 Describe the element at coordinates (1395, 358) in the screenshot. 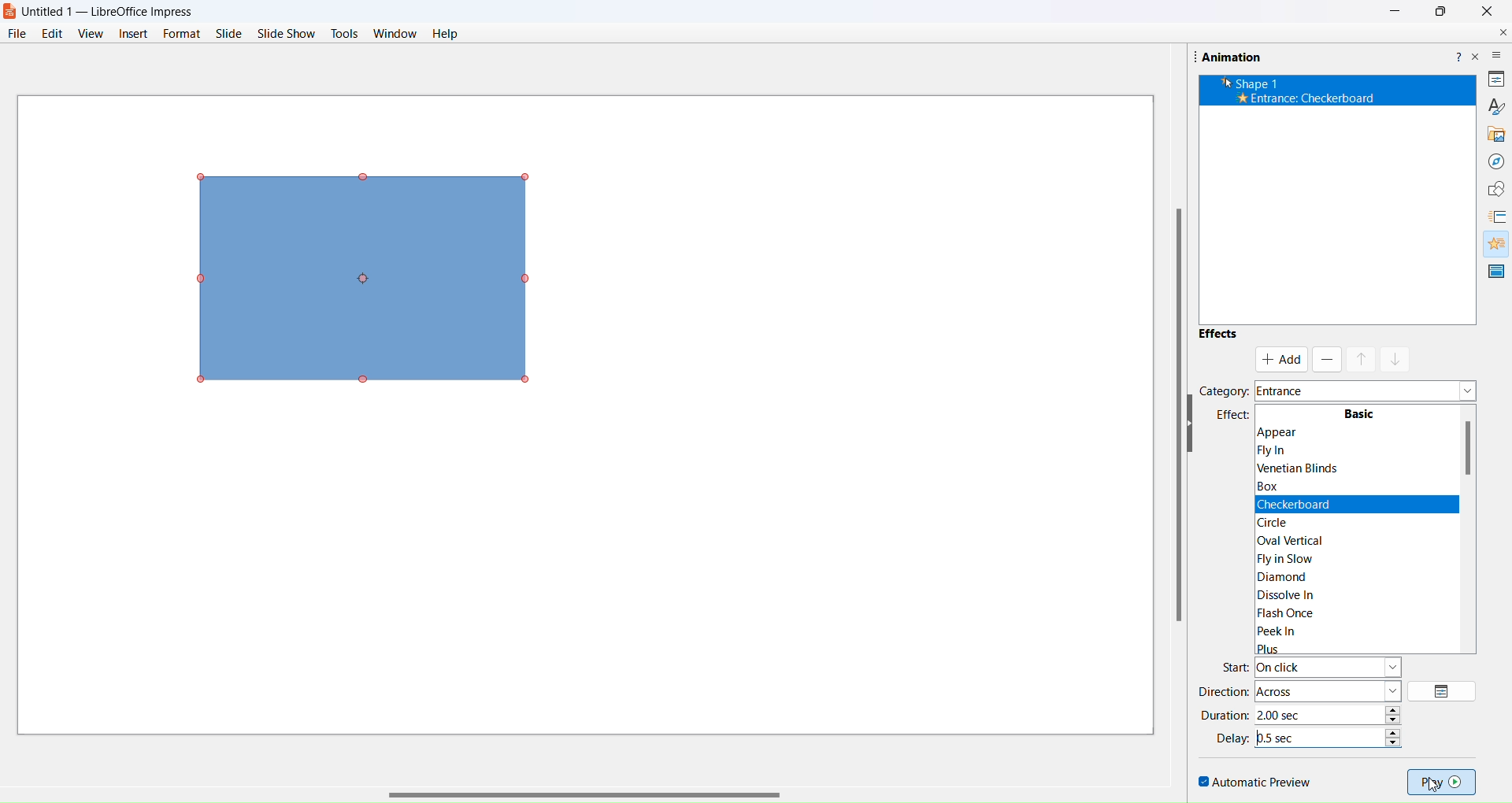

I see `mask down` at that location.